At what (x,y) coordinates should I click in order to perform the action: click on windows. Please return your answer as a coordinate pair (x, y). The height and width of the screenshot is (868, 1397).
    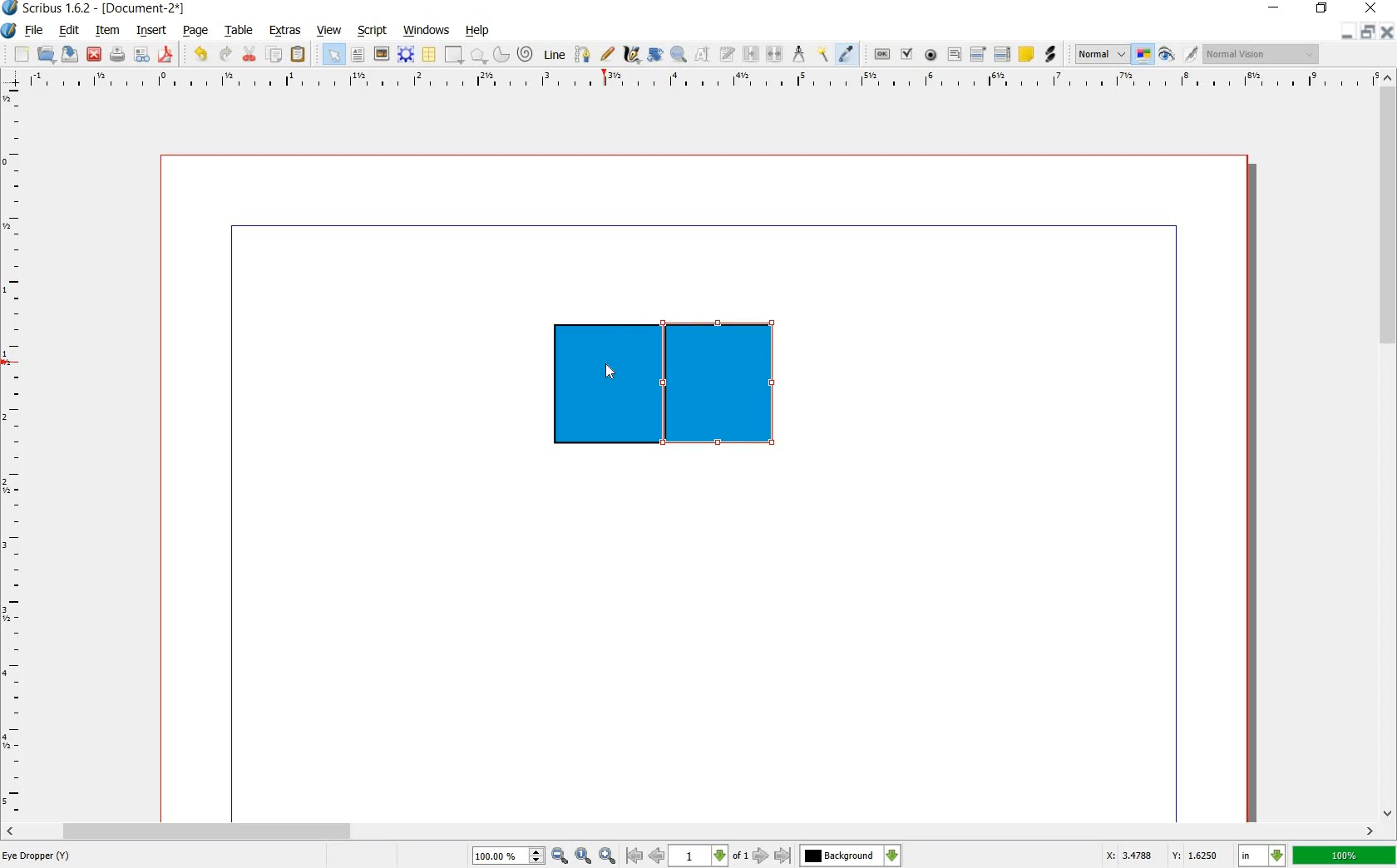
    Looking at the image, I should click on (428, 31).